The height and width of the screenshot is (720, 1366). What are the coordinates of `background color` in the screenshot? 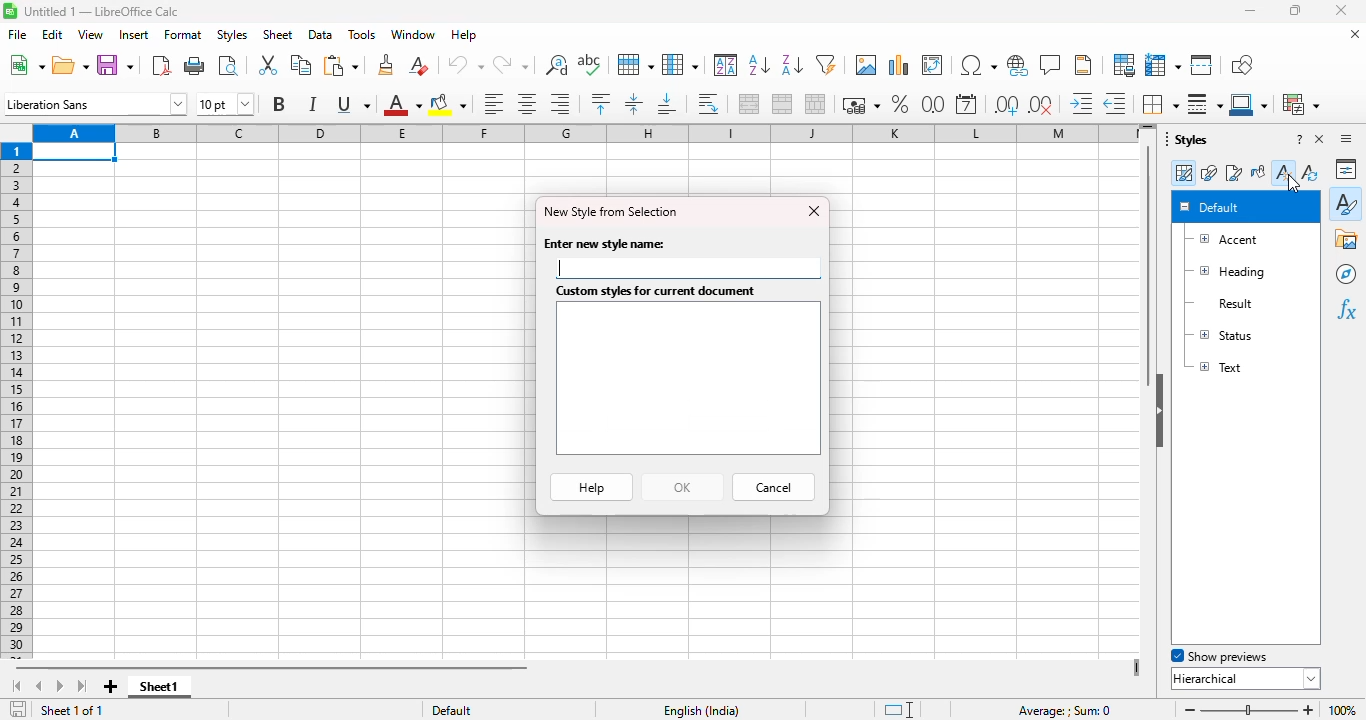 It's located at (448, 104).